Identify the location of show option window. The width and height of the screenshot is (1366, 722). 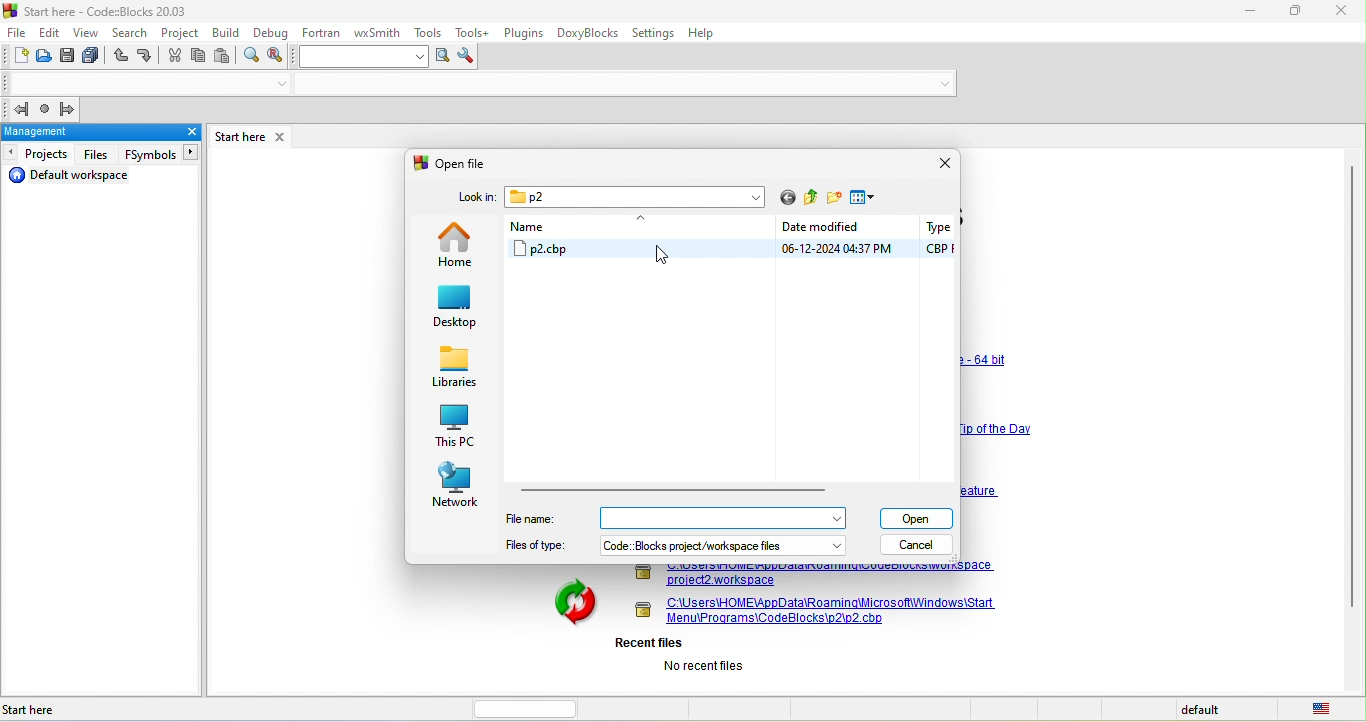
(468, 57).